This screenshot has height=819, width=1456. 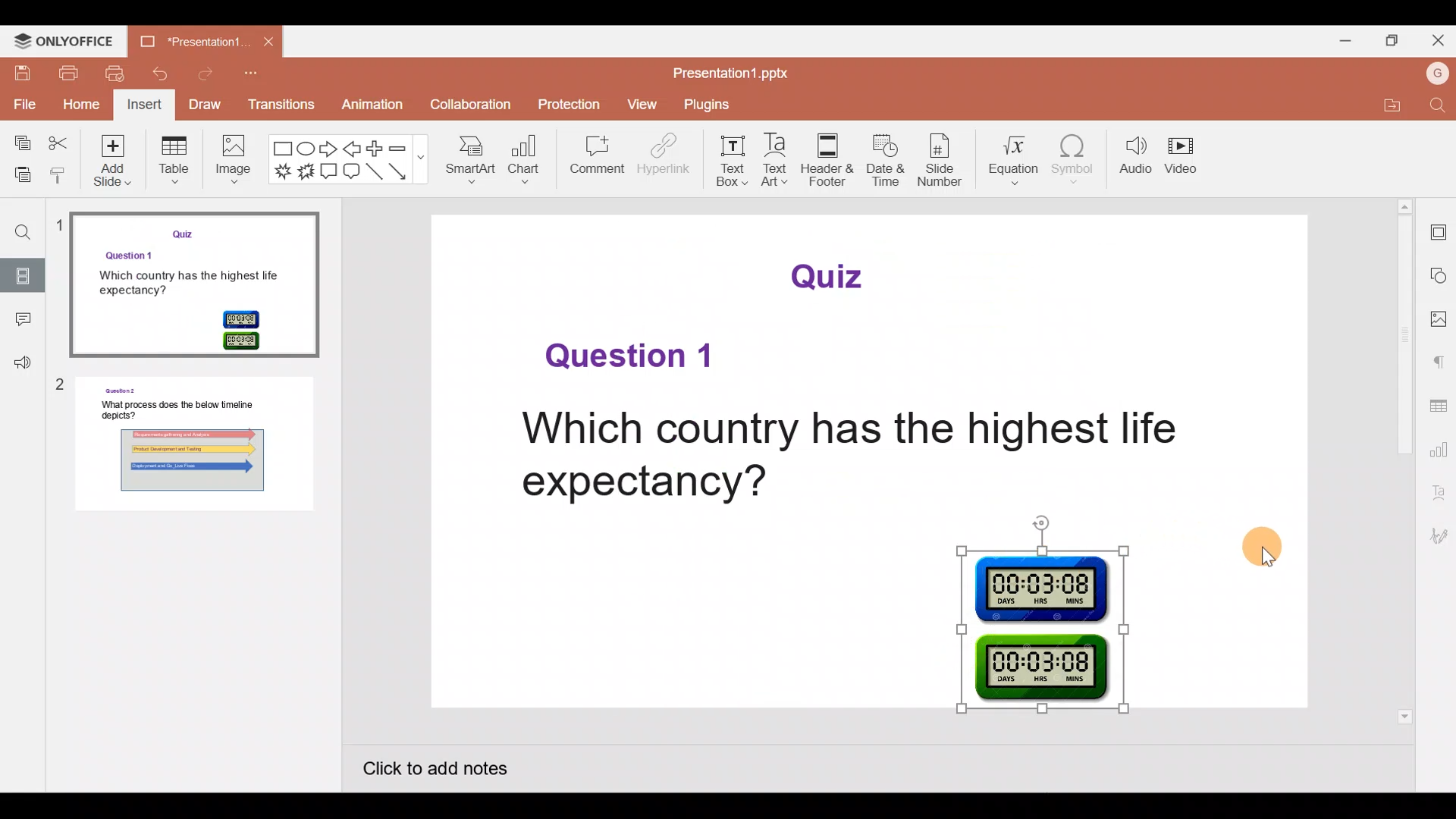 What do you see at coordinates (733, 76) in the screenshot?
I see `Presentation1.pptx` at bounding box center [733, 76].